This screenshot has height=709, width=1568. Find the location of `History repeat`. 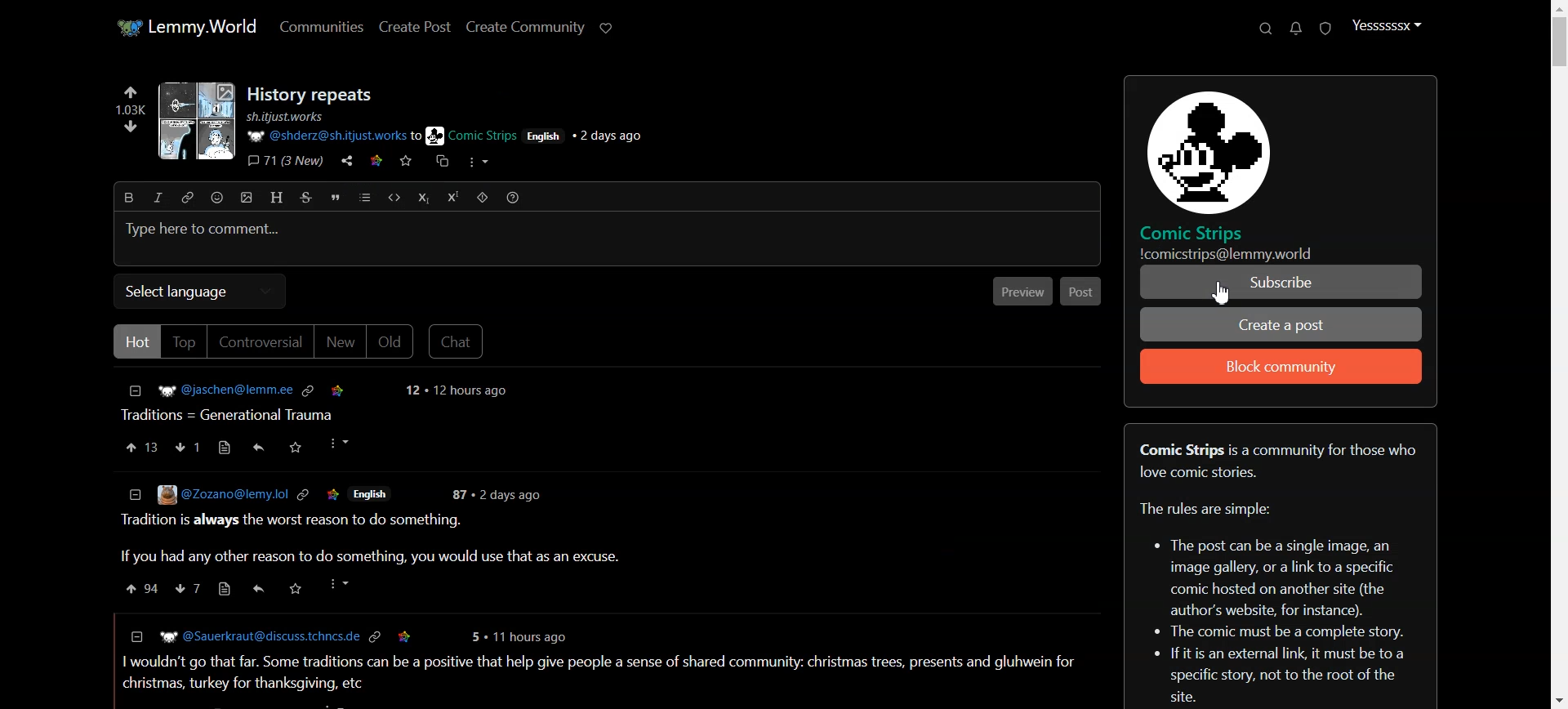

History repeat is located at coordinates (313, 95).